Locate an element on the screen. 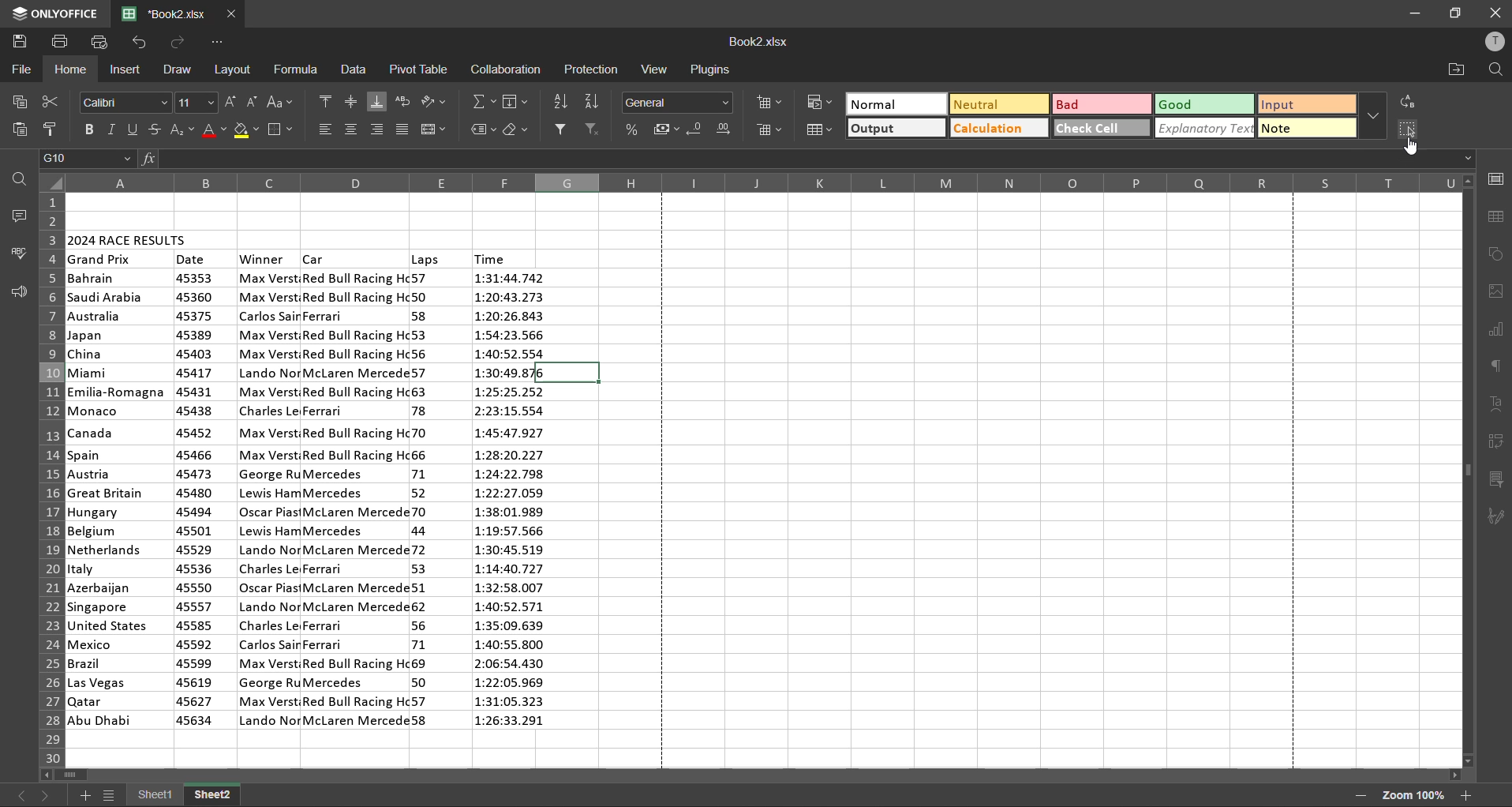 The image size is (1512, 807).  is located at coordinates (319, 259).